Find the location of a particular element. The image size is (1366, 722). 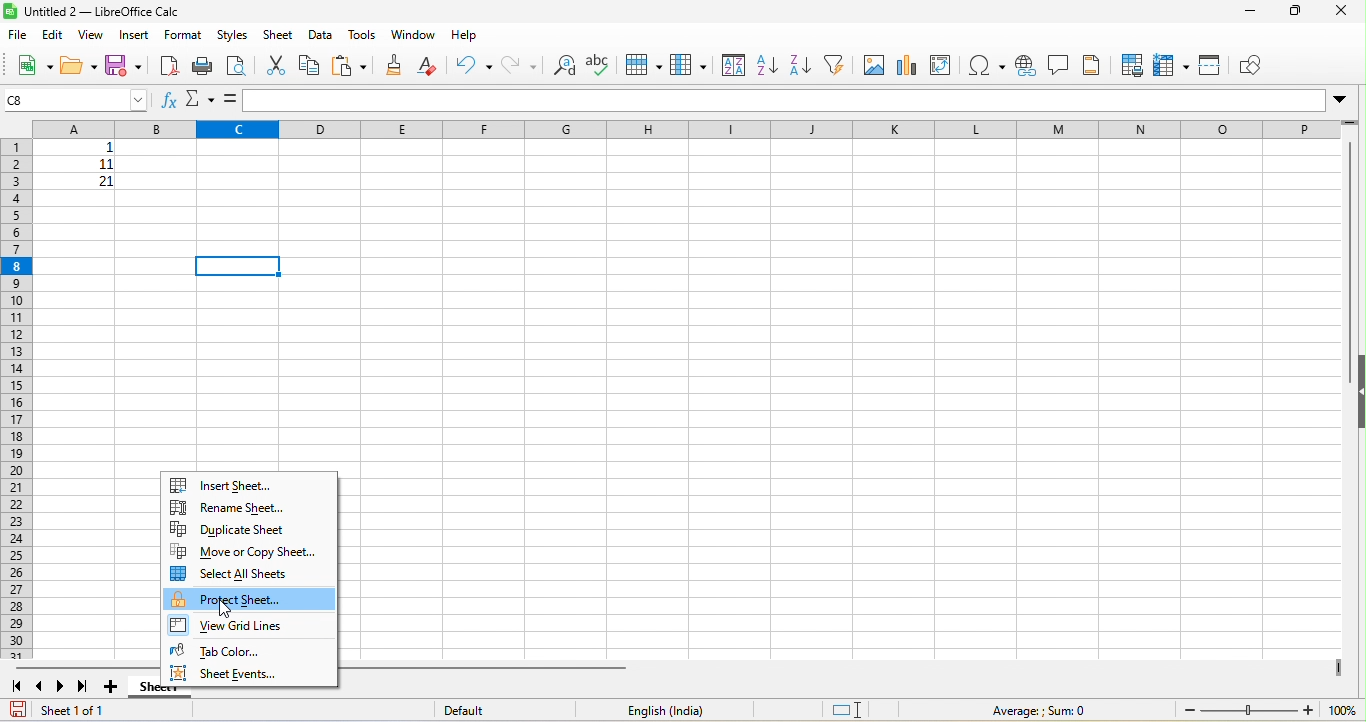

print is located at coordinates (203, 64).